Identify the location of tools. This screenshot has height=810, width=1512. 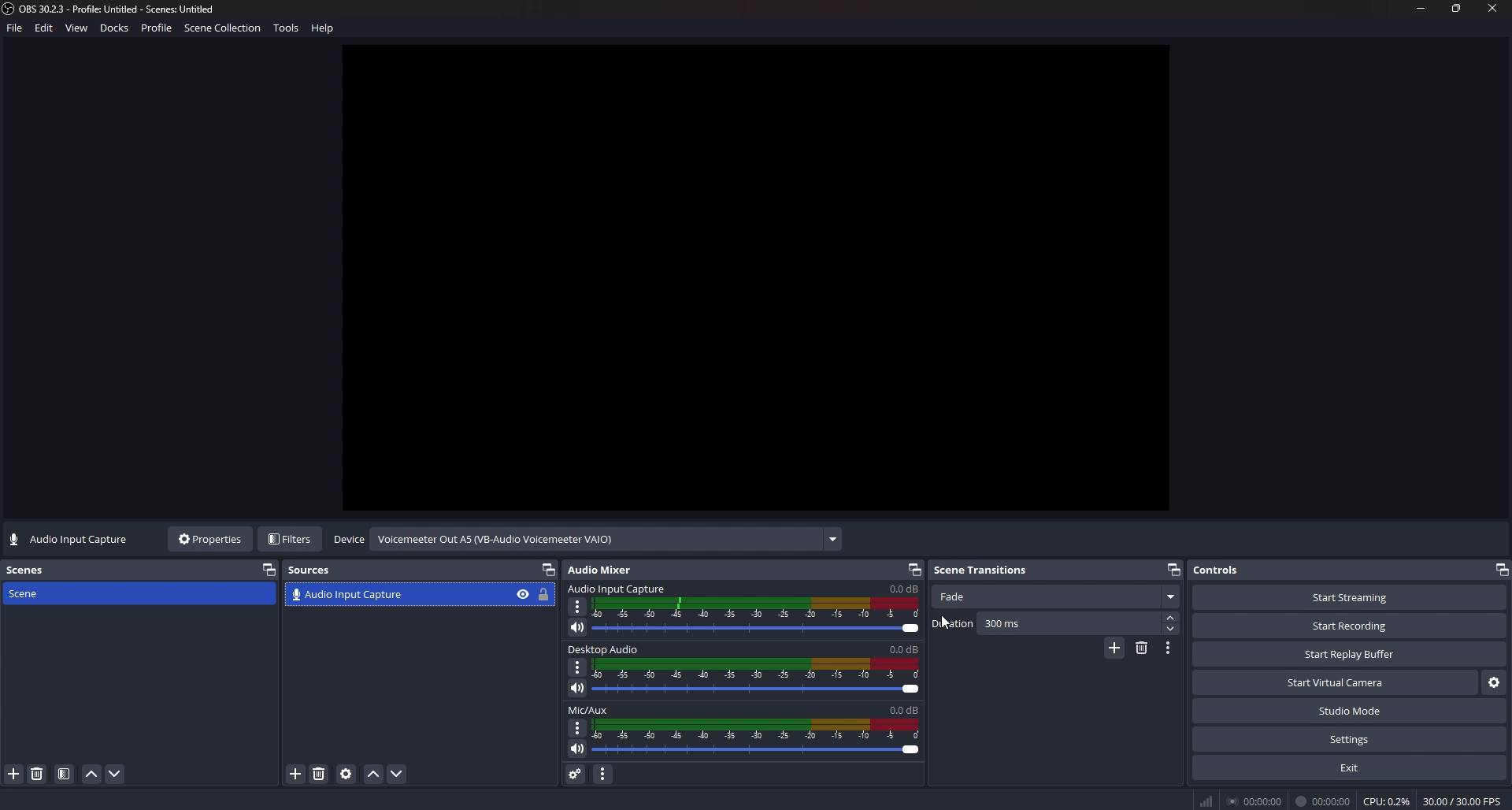
(290, 31).